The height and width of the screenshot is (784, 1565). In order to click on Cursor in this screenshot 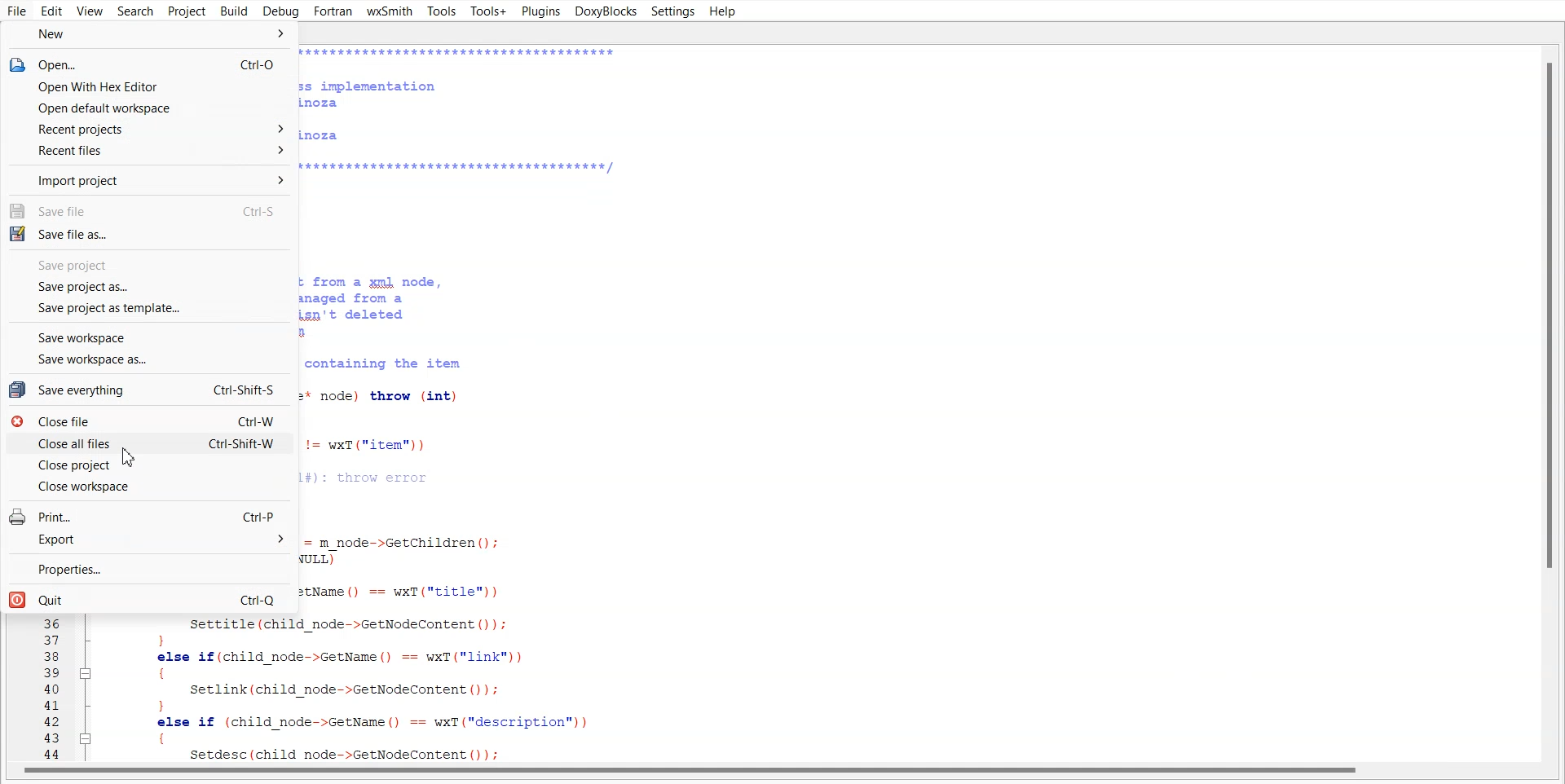, I will do `click(130, 459)`.